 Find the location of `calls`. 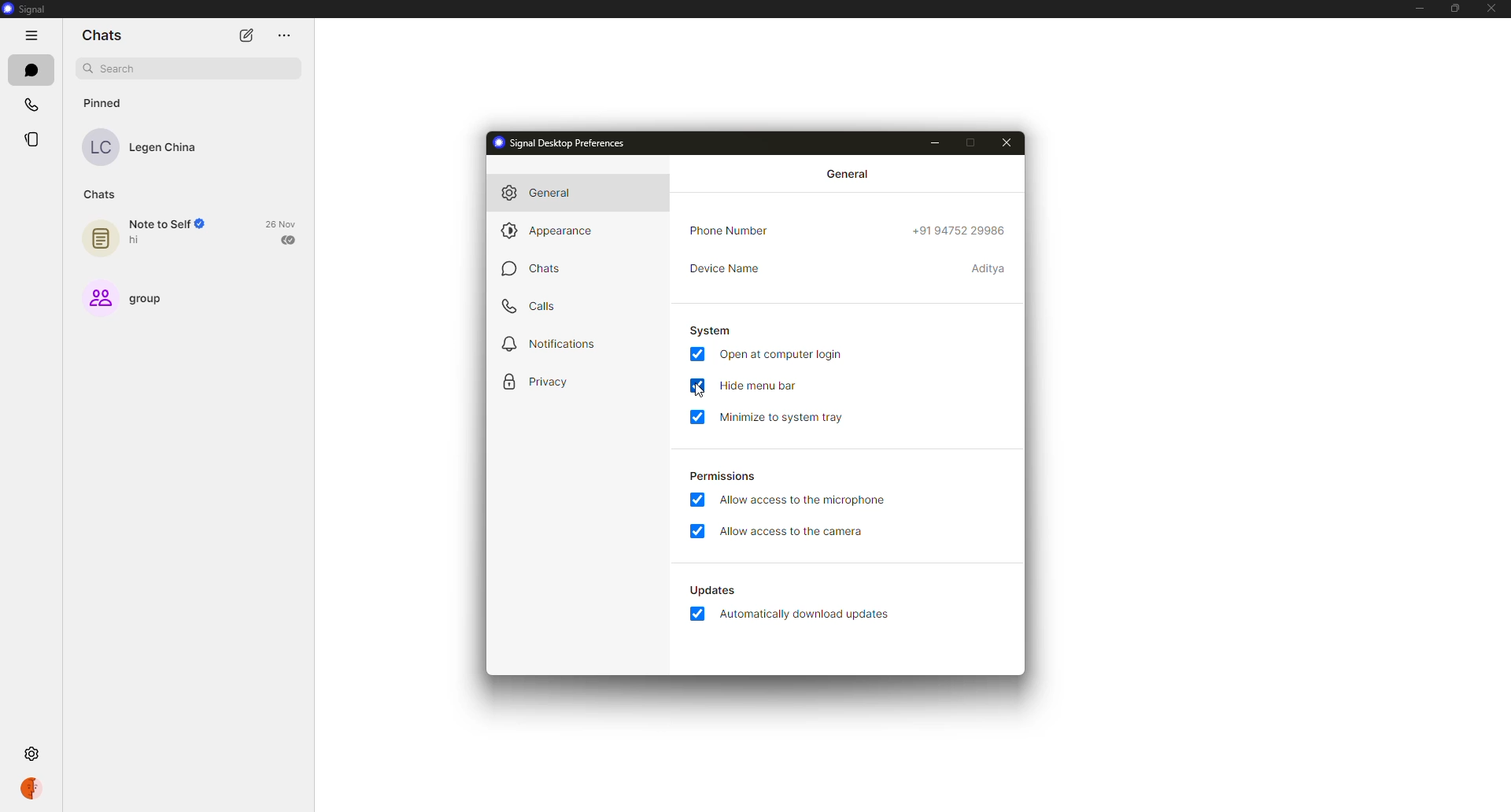

calls is located at coordinates (537, 307).